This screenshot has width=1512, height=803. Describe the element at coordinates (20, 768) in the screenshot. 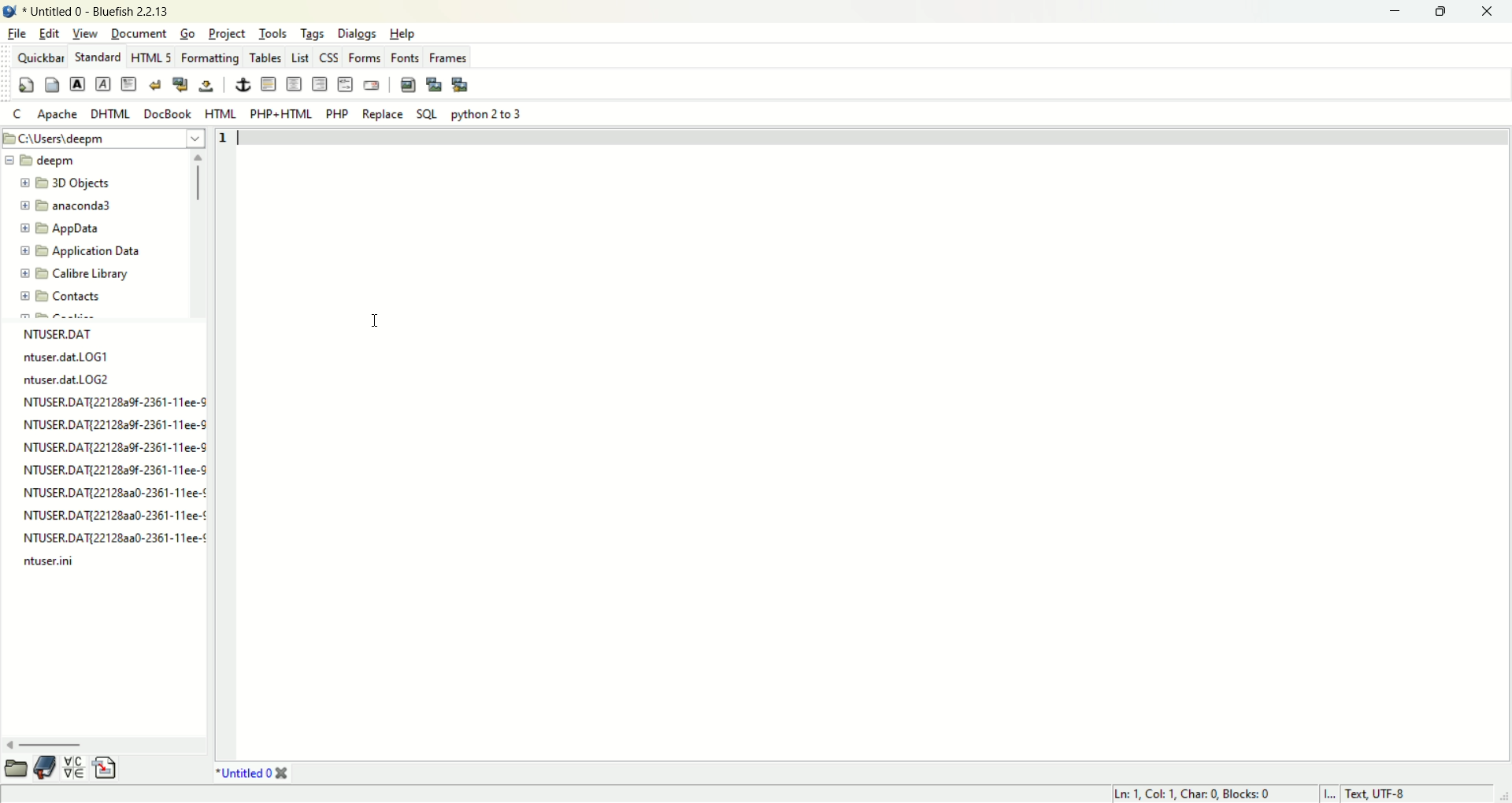

I see `browse file` at that location.